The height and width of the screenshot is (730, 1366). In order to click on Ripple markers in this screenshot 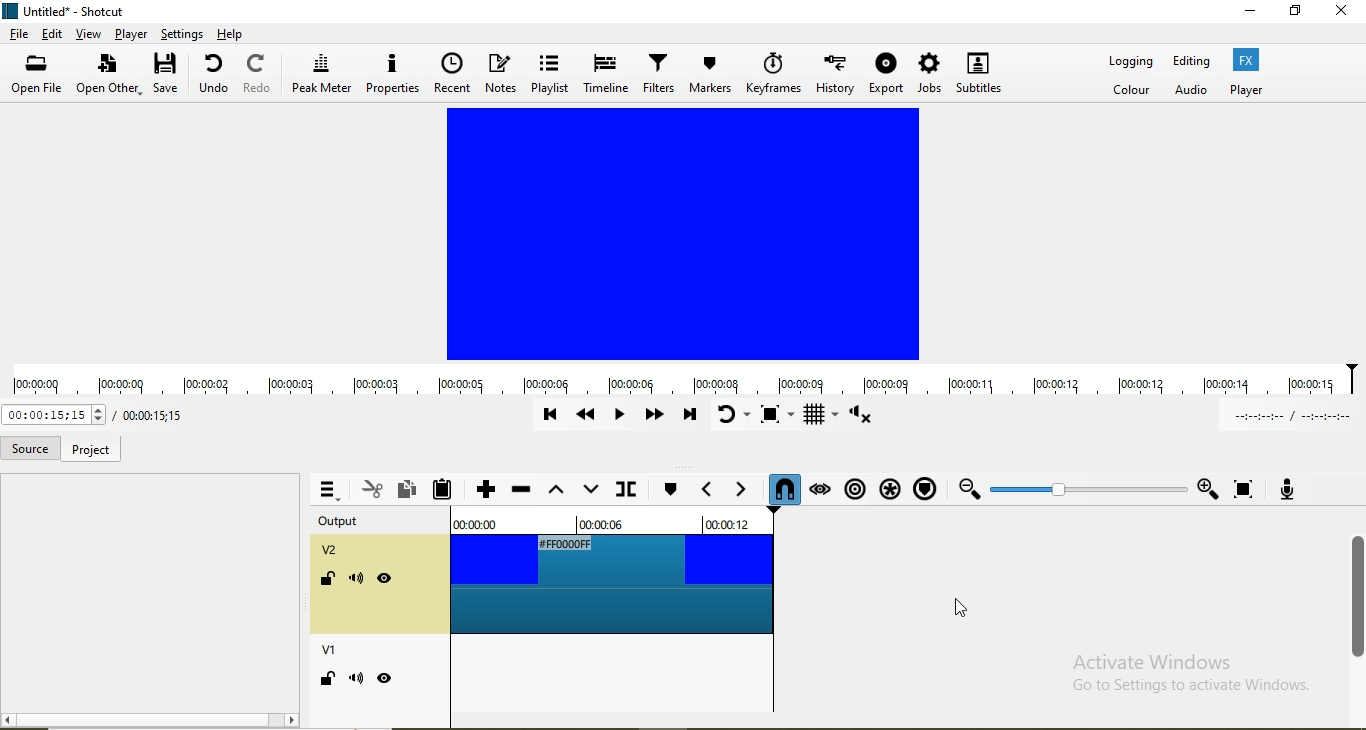, I will do `click(853, 485)`.